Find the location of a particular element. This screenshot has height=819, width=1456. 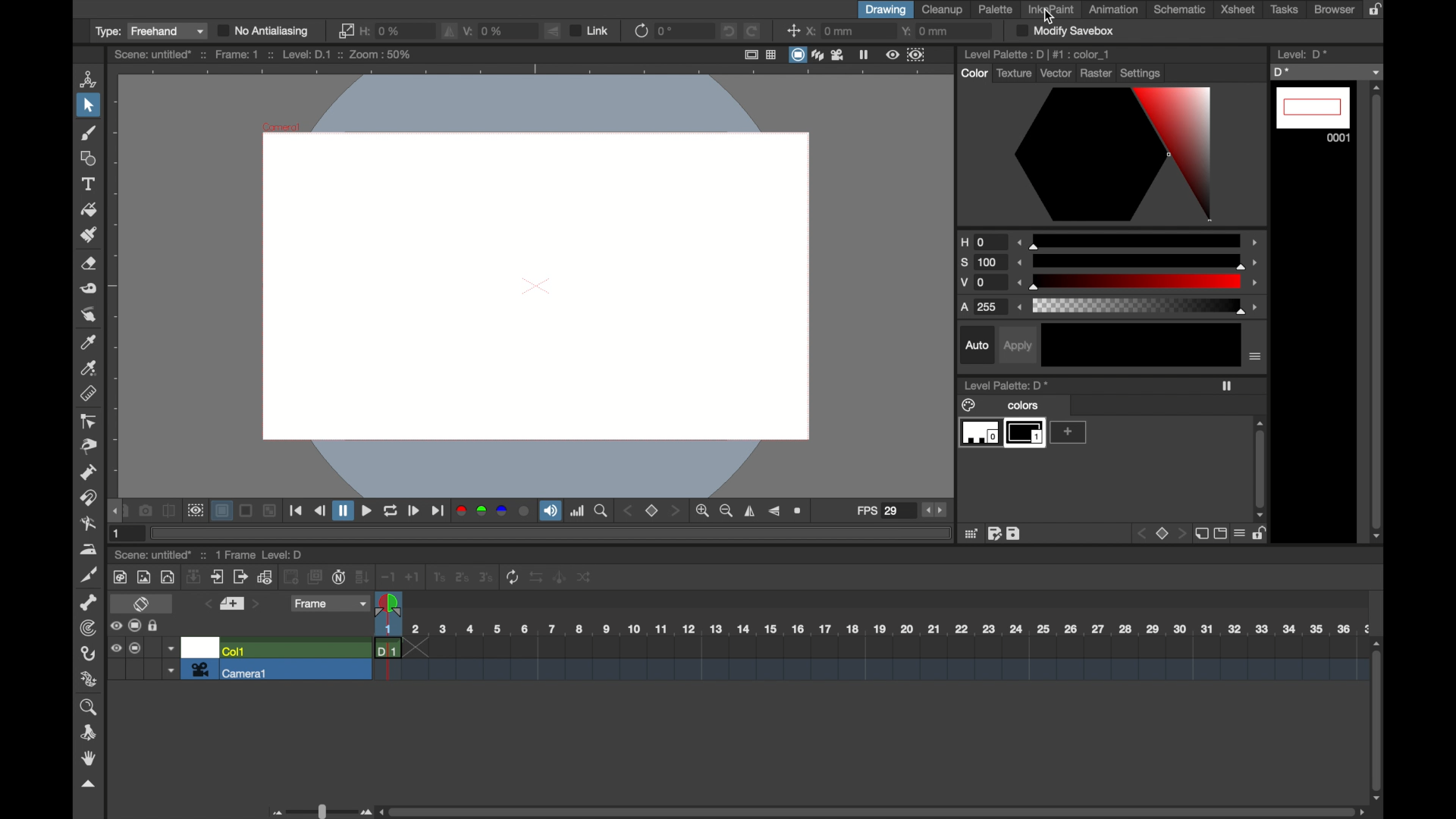

redo is located at coordinates (752, 30).